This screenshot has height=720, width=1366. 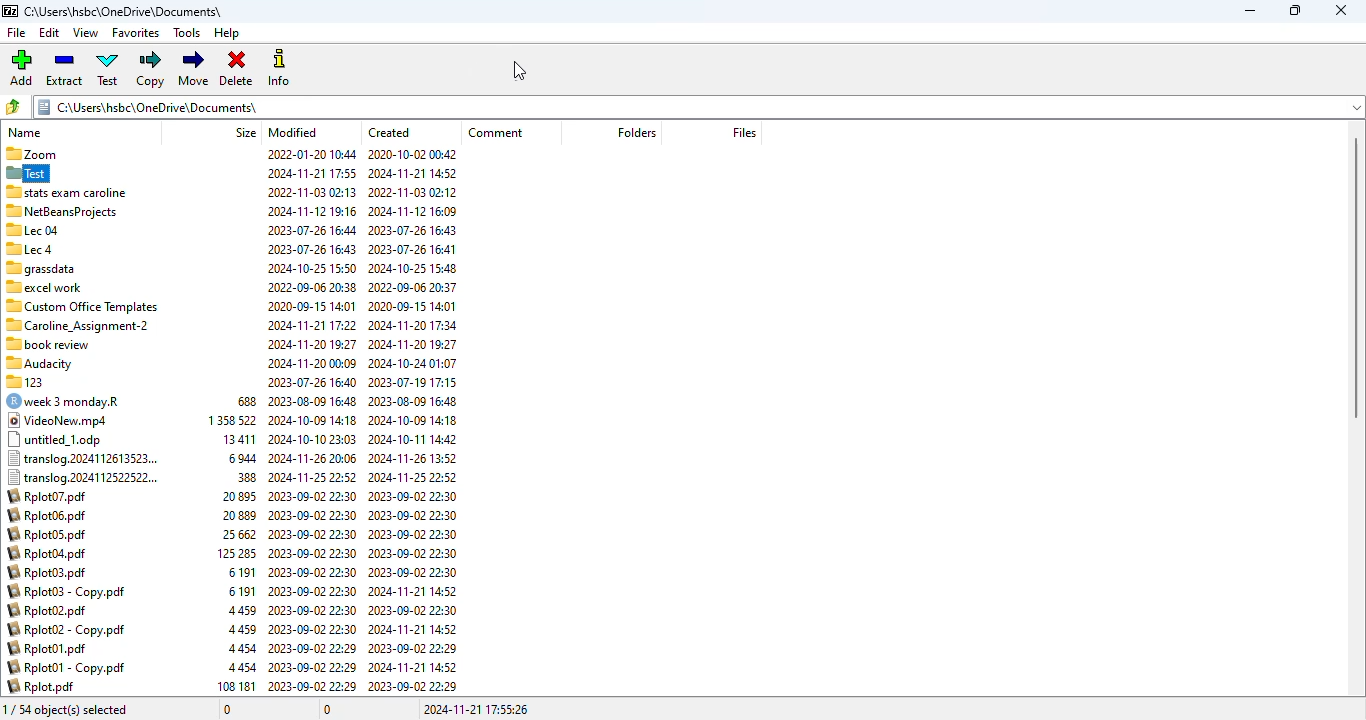 I want to click on 2023-09-02 22:29, so click(x=313, y=648).